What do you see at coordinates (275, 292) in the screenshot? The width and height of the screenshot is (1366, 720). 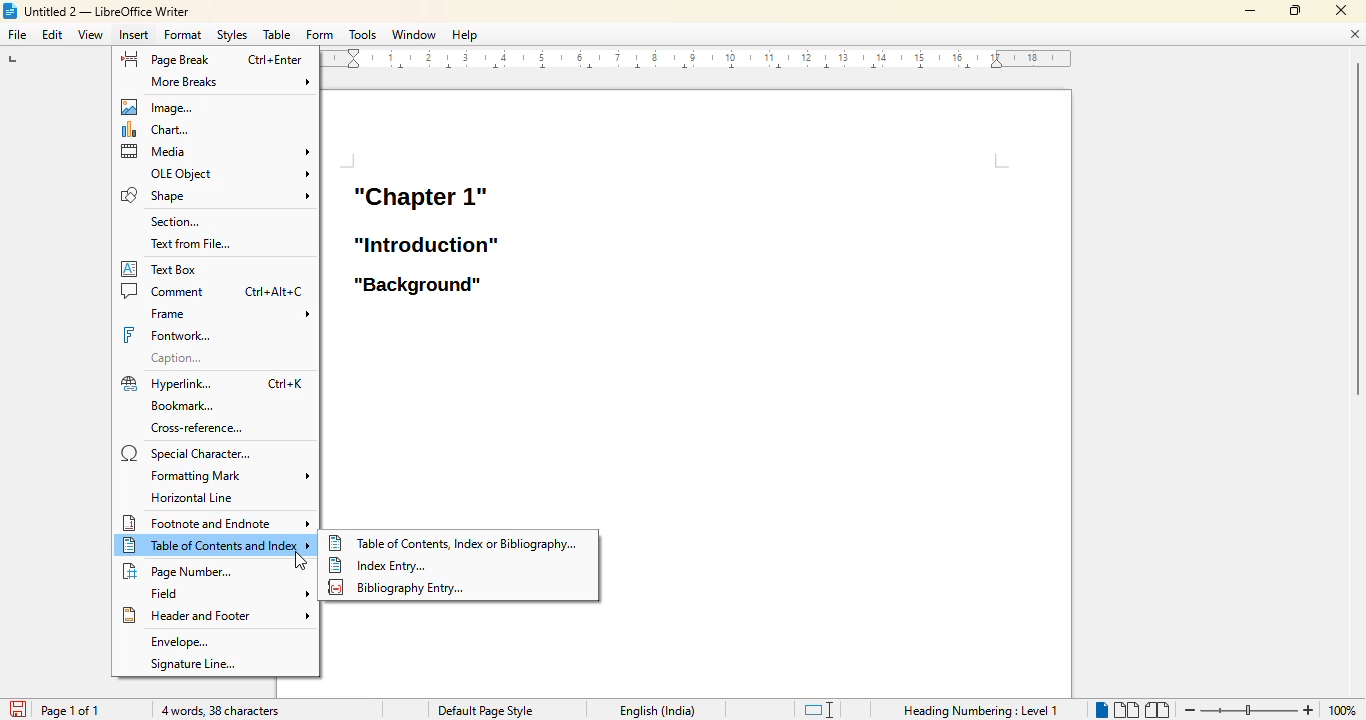 I see `shortcut for comment` at bounding box center [275, 292].